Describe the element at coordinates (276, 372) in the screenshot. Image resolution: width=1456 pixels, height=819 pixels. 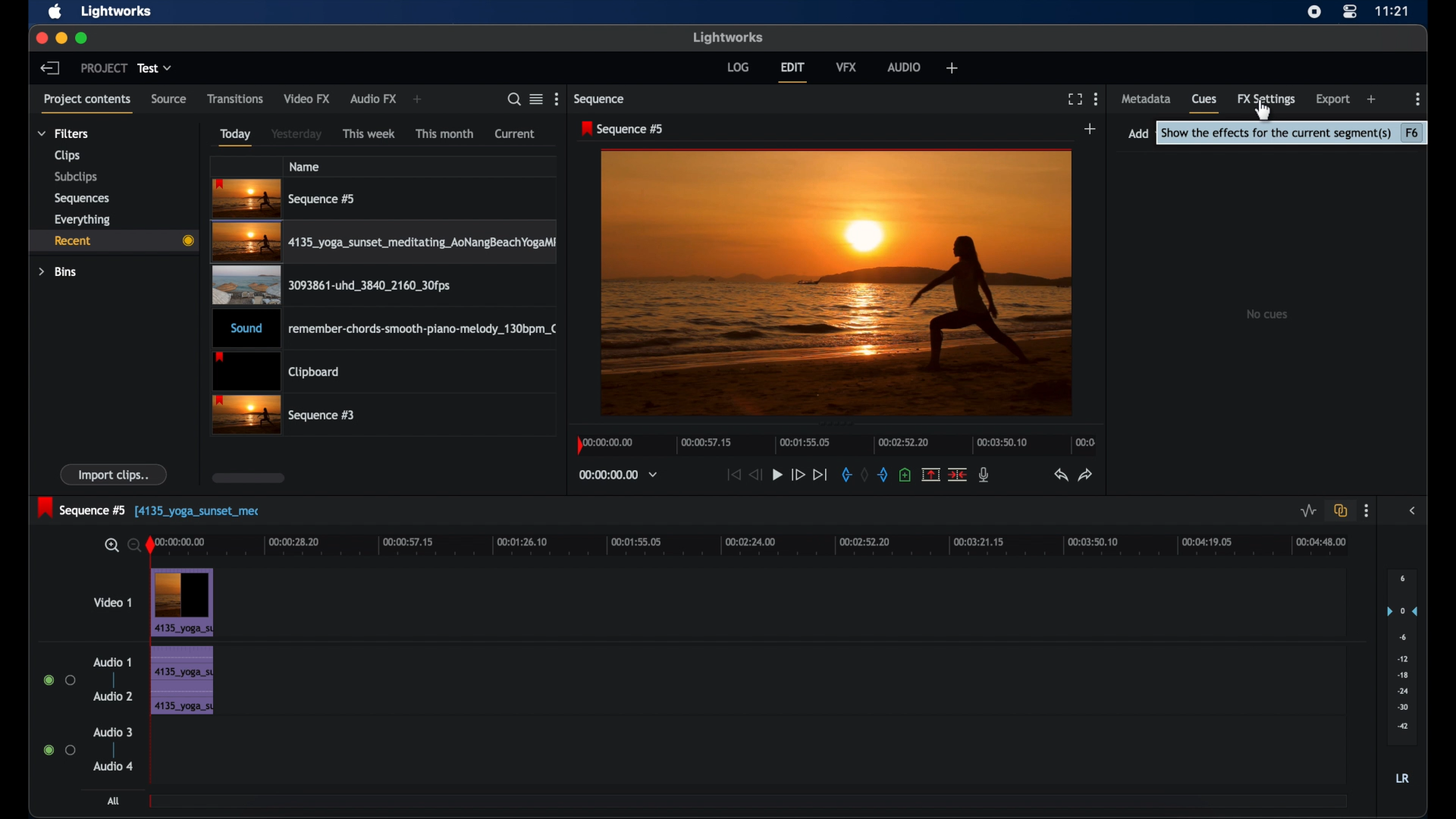
I see `clipboard` at that location.